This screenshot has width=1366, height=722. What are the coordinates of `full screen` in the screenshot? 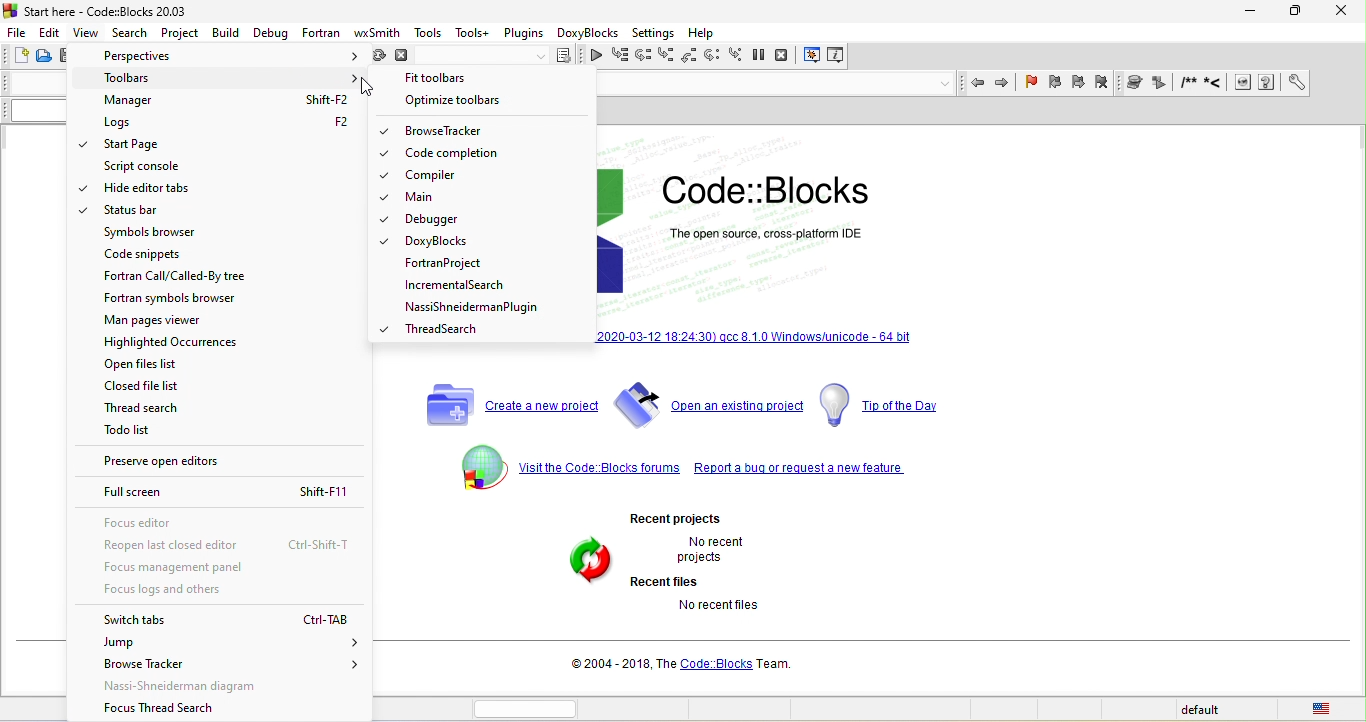 It's located at (227, 493).